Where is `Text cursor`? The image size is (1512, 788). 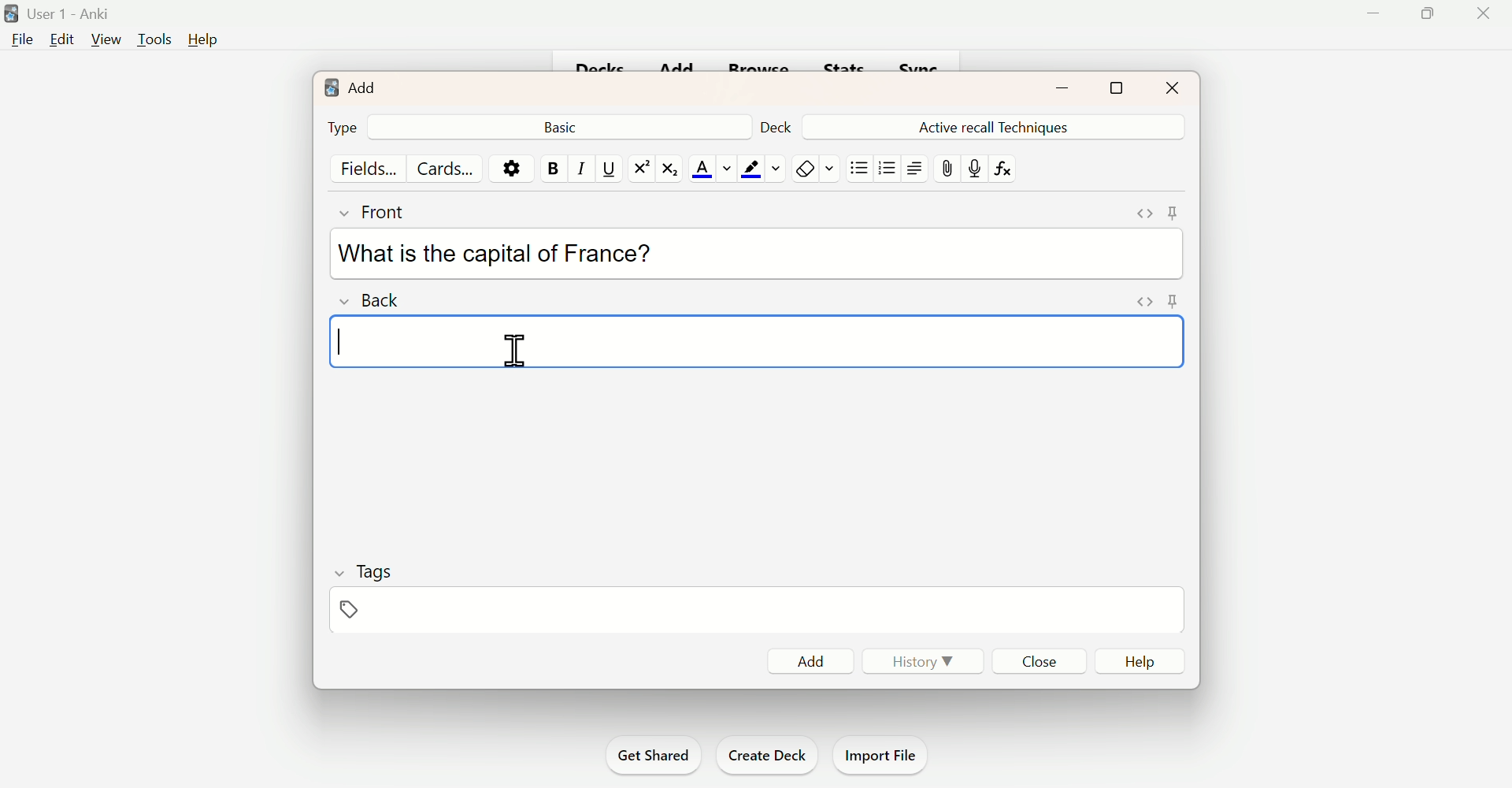 Text cursor is located at coordinates (334, 348).